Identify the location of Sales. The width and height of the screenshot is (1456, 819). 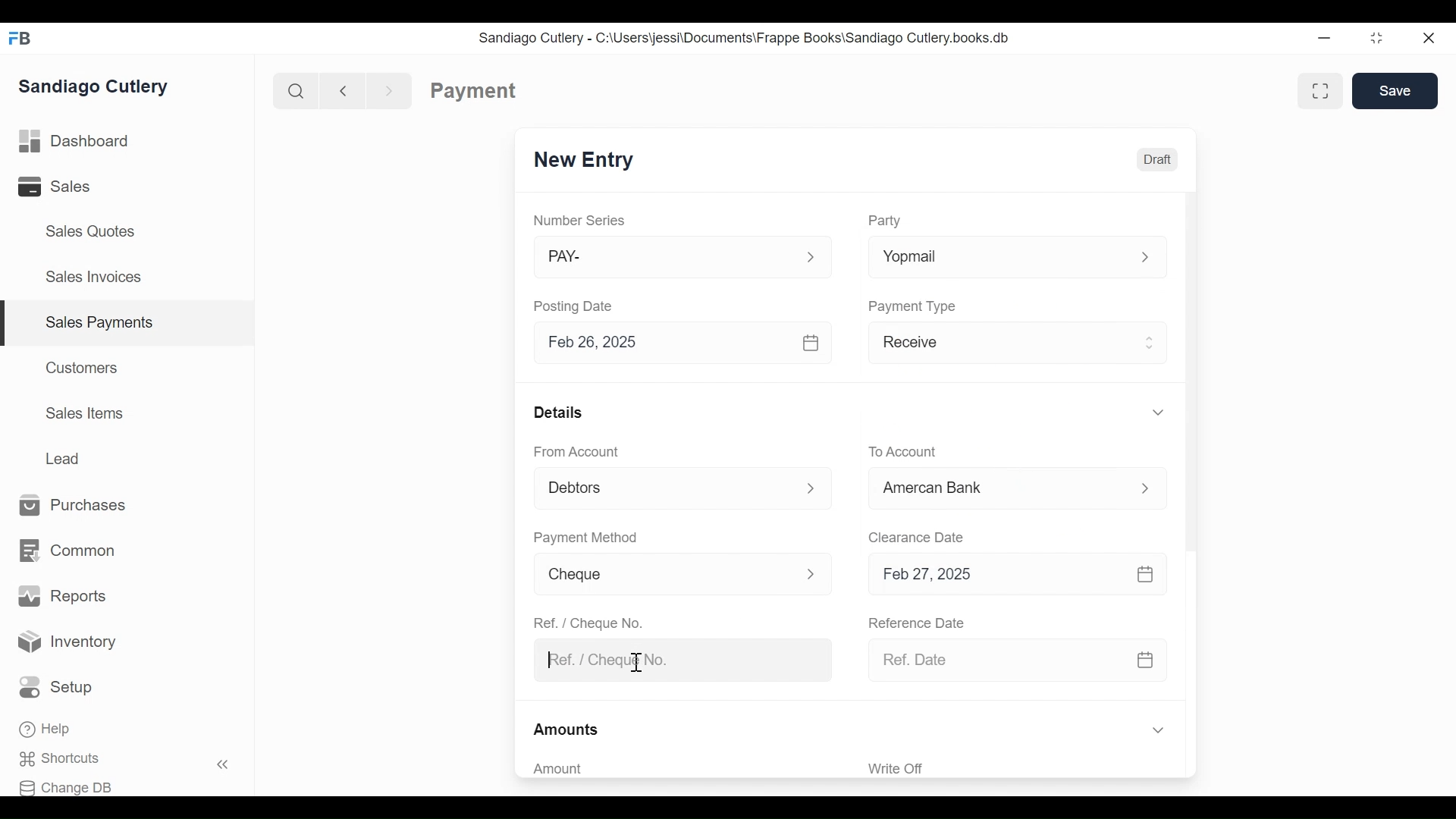
(65, 187).